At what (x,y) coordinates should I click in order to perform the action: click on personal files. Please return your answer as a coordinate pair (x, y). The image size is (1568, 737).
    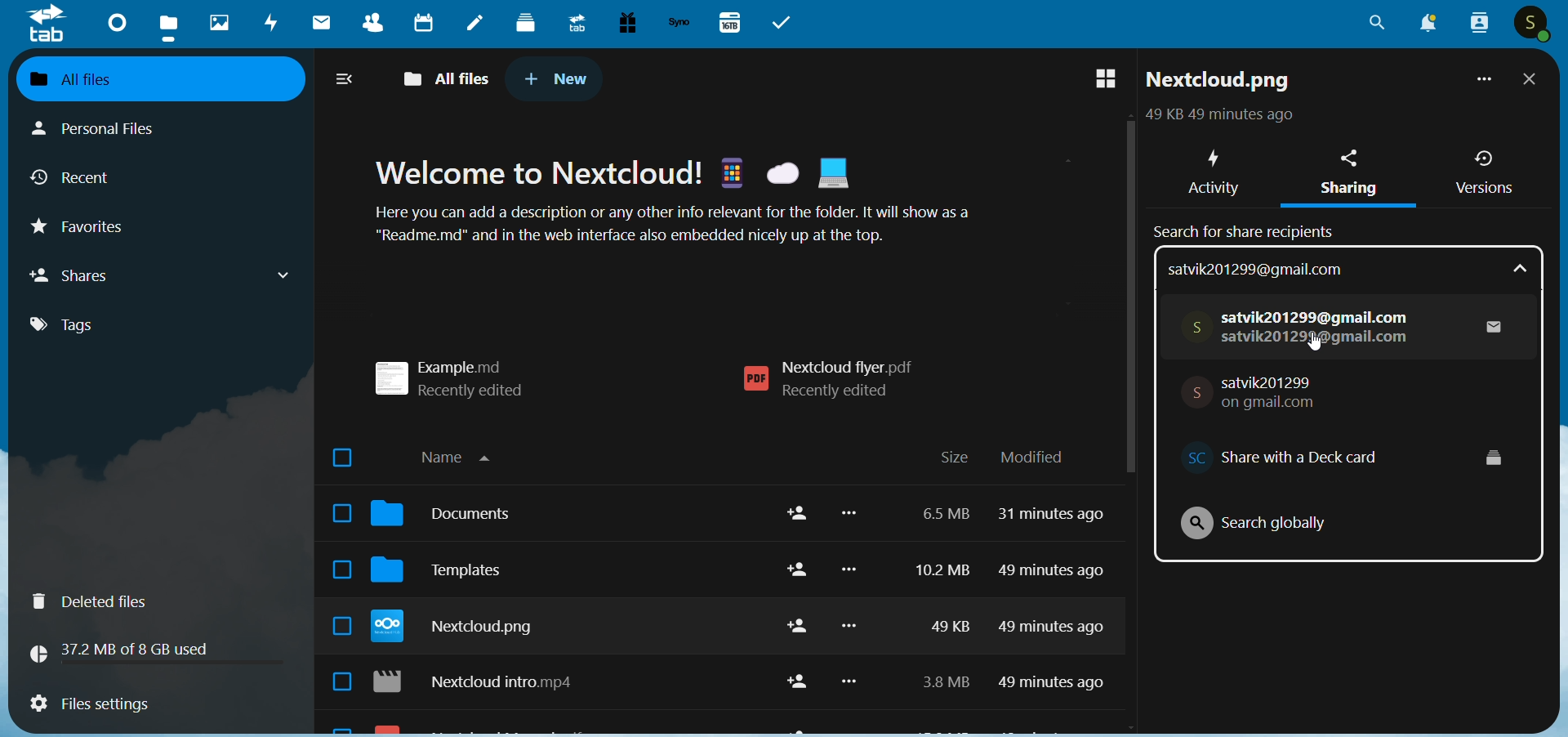
    Looking at the image, I should click on (111, 127).